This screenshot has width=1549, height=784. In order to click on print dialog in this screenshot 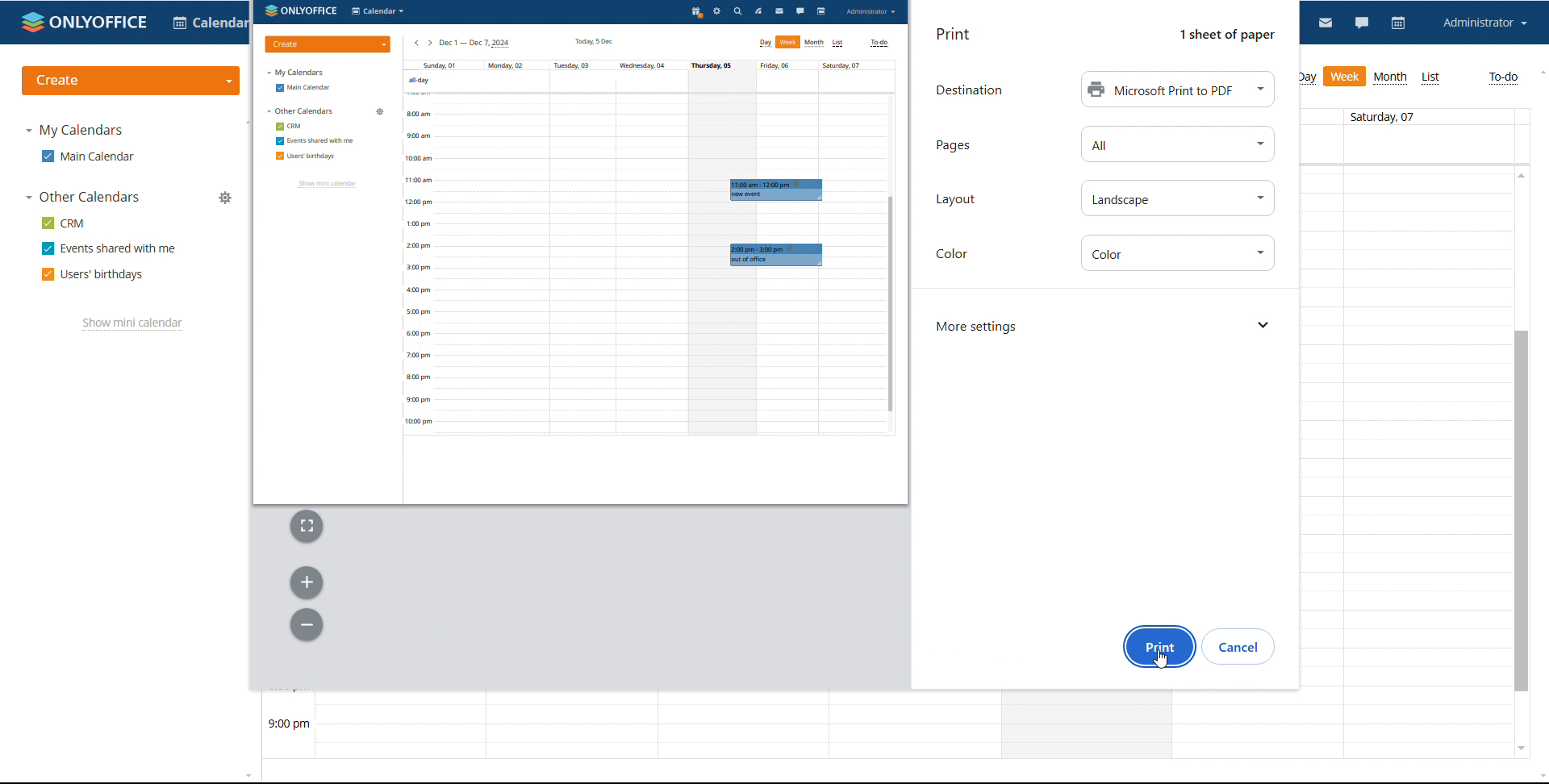, I will do `click(955, 35)`.